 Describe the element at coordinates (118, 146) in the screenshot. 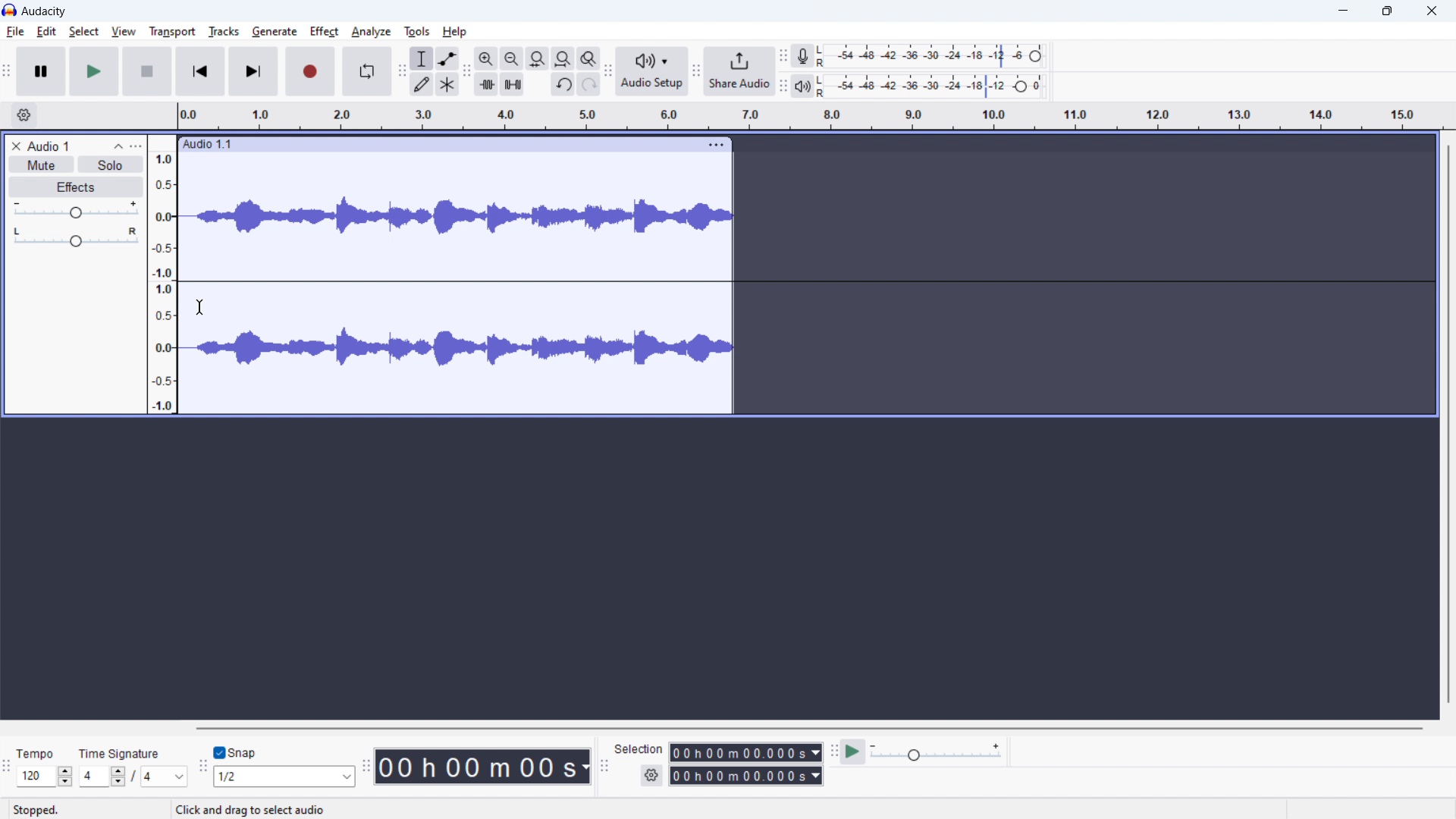

I see `collapse` at that location.